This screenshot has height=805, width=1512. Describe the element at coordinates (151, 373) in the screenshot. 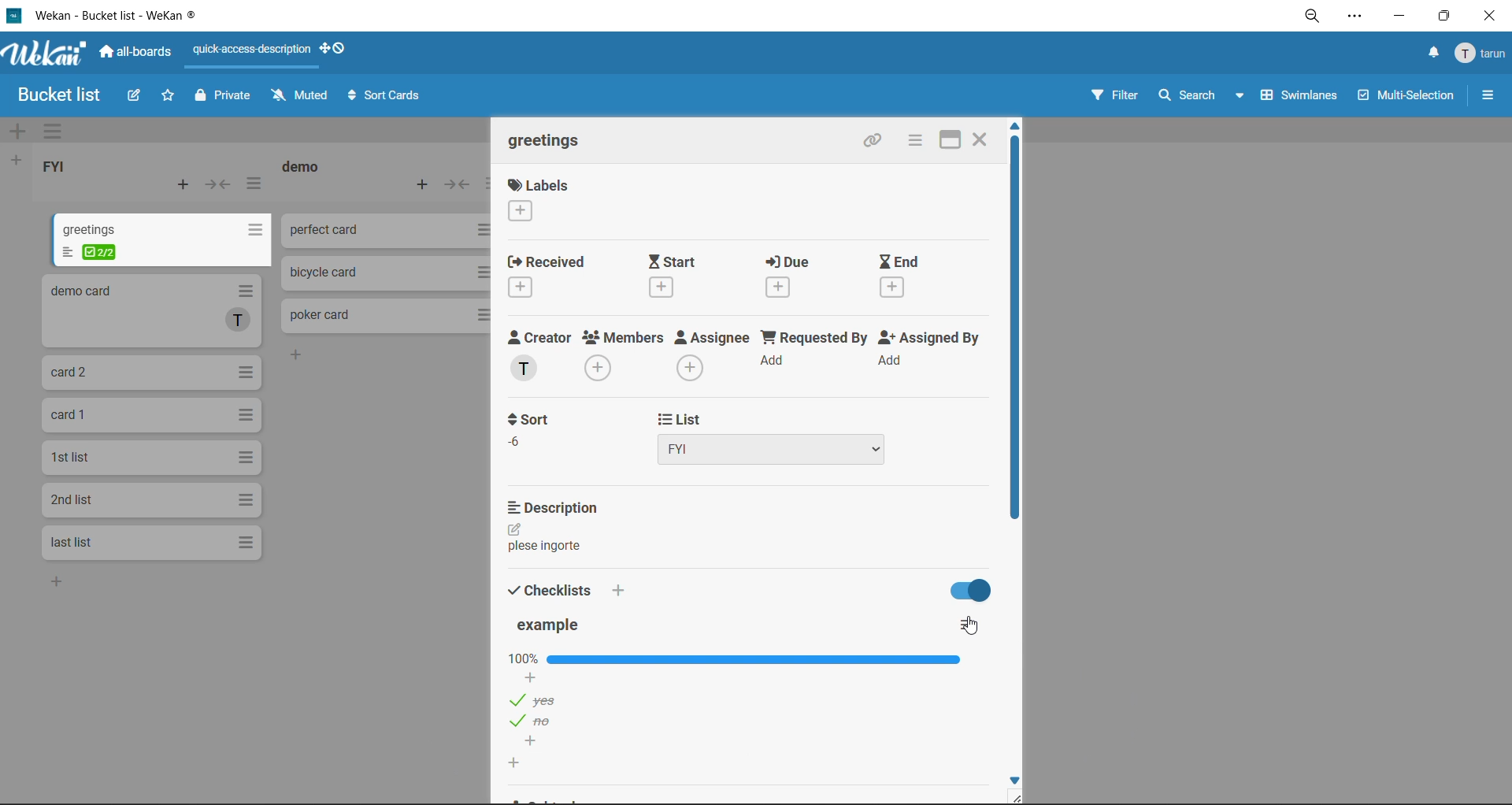

I see `cards` at that location.